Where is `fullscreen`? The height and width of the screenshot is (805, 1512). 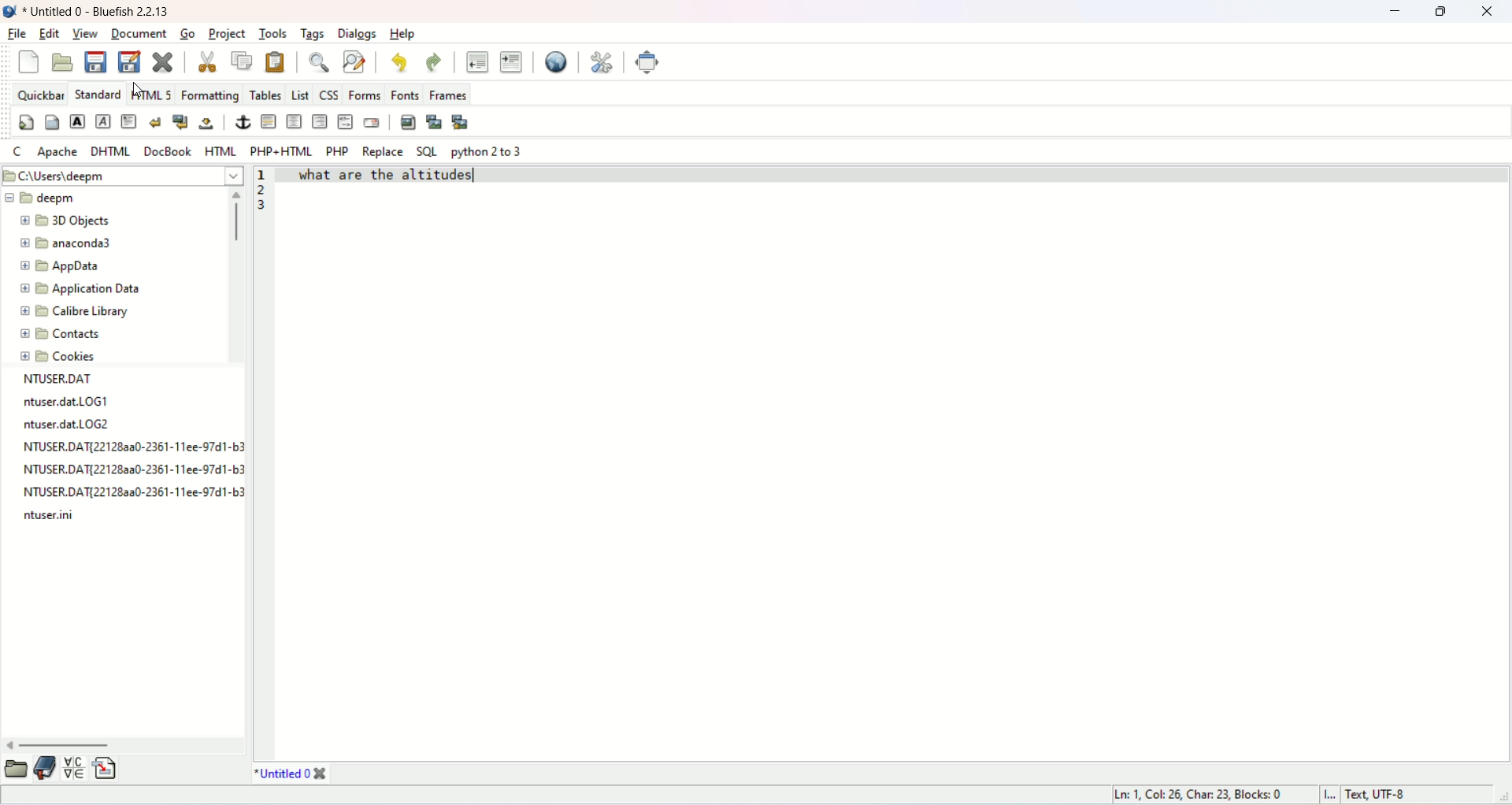
fullscreen is located at coordinates (649, 61).